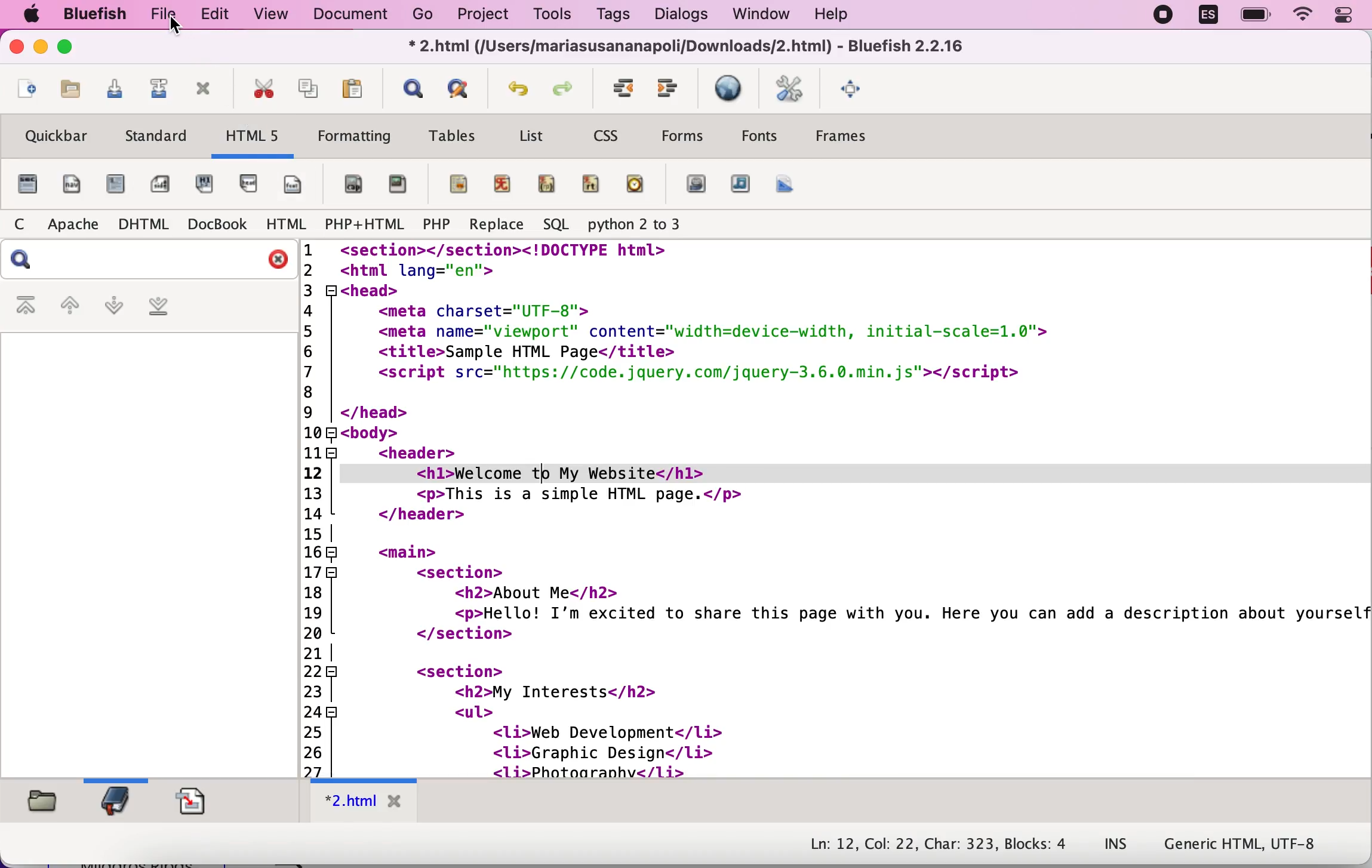 This screenshot has height=868, width=1372. I want to click on ins, so click(1119, 840).